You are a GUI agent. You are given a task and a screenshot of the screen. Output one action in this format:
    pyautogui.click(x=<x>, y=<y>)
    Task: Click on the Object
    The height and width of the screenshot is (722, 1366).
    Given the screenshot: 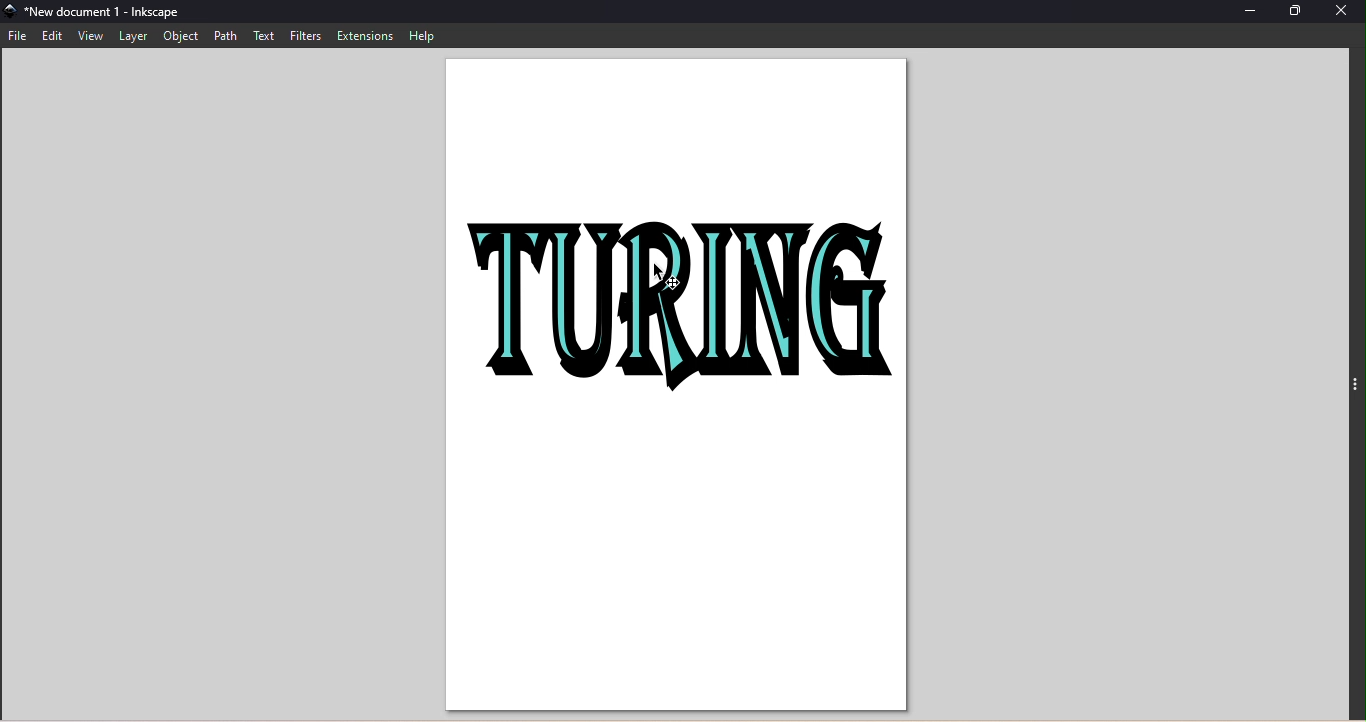 What is the action you would take?
    pyautogui.click(x=181, y=36)
    